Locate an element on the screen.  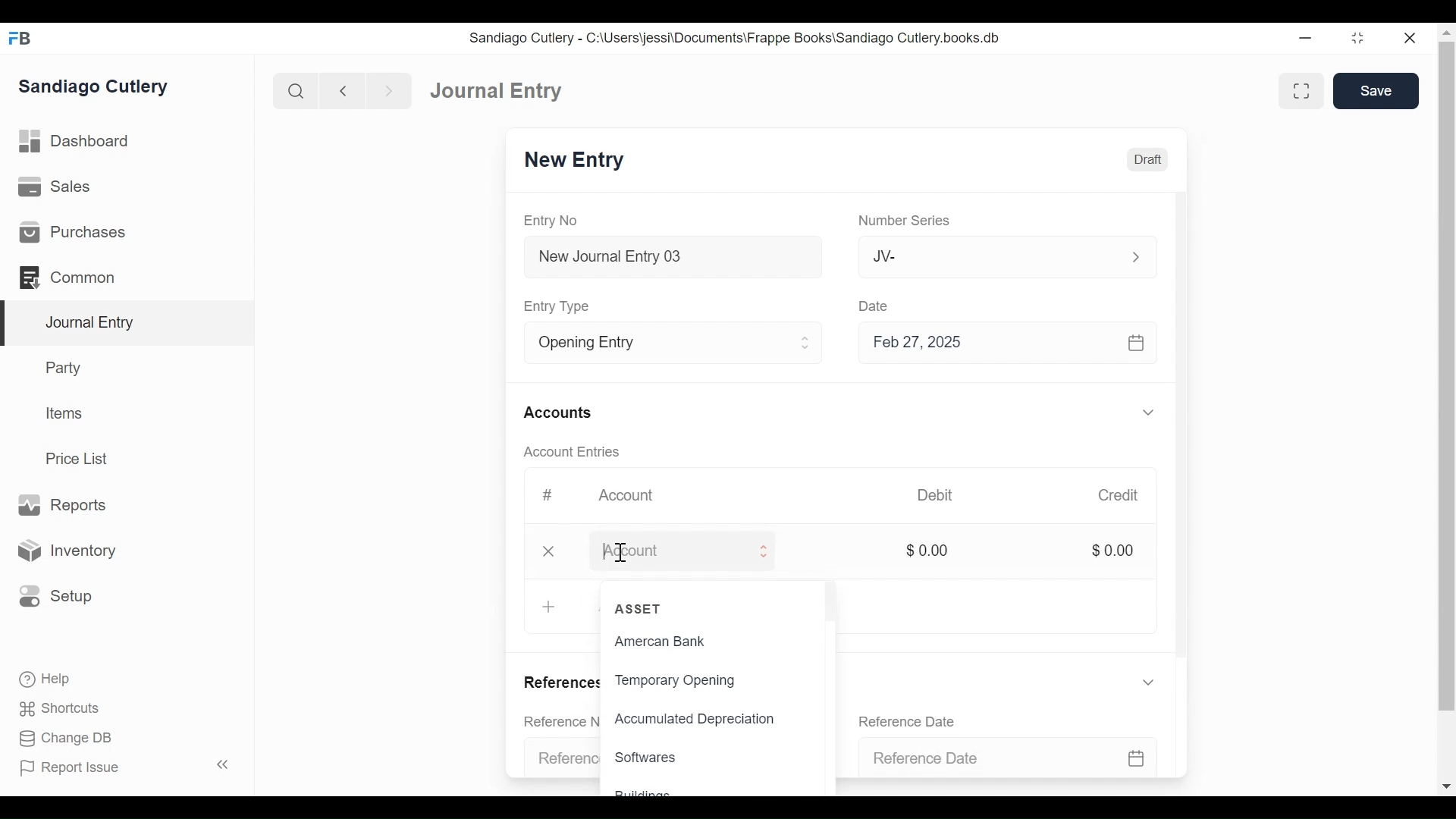
$0.00 is located at coordinates (929, 550).